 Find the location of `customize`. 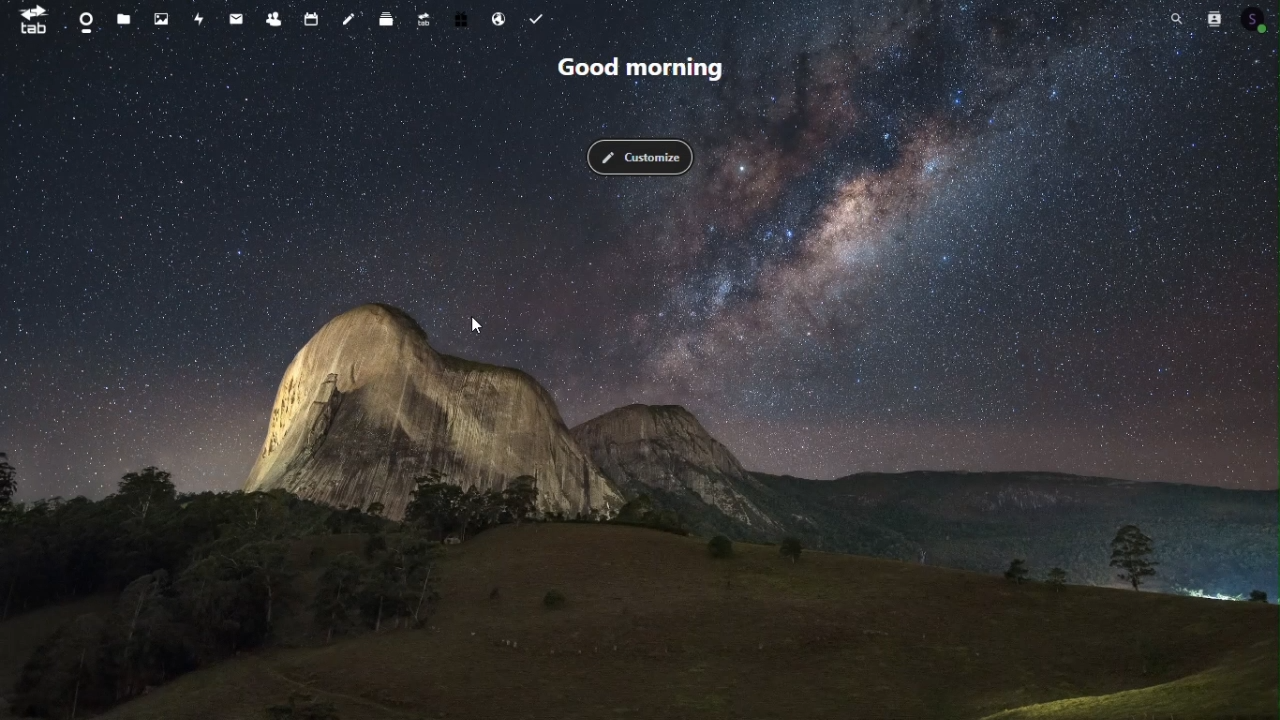

customize is located at coordinates (640, 156).